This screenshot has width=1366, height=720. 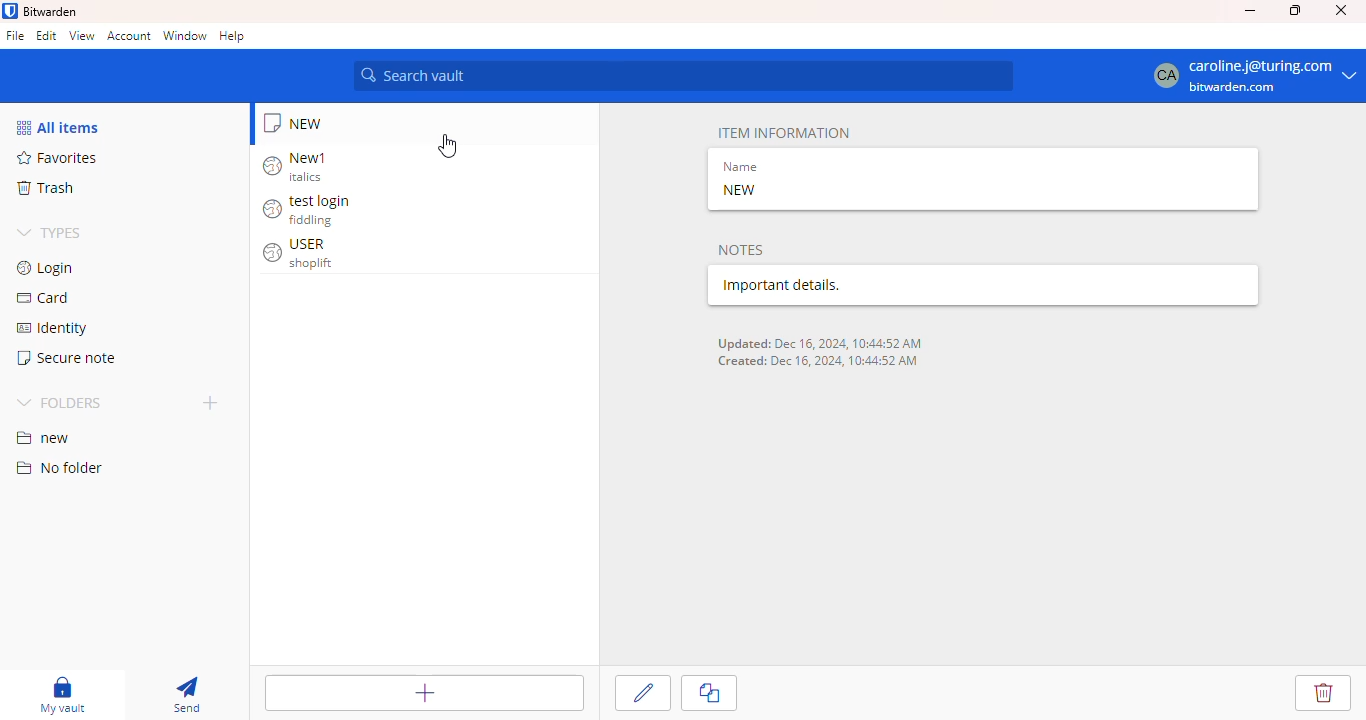 I want to click on add item, so click(x=425, y=694).